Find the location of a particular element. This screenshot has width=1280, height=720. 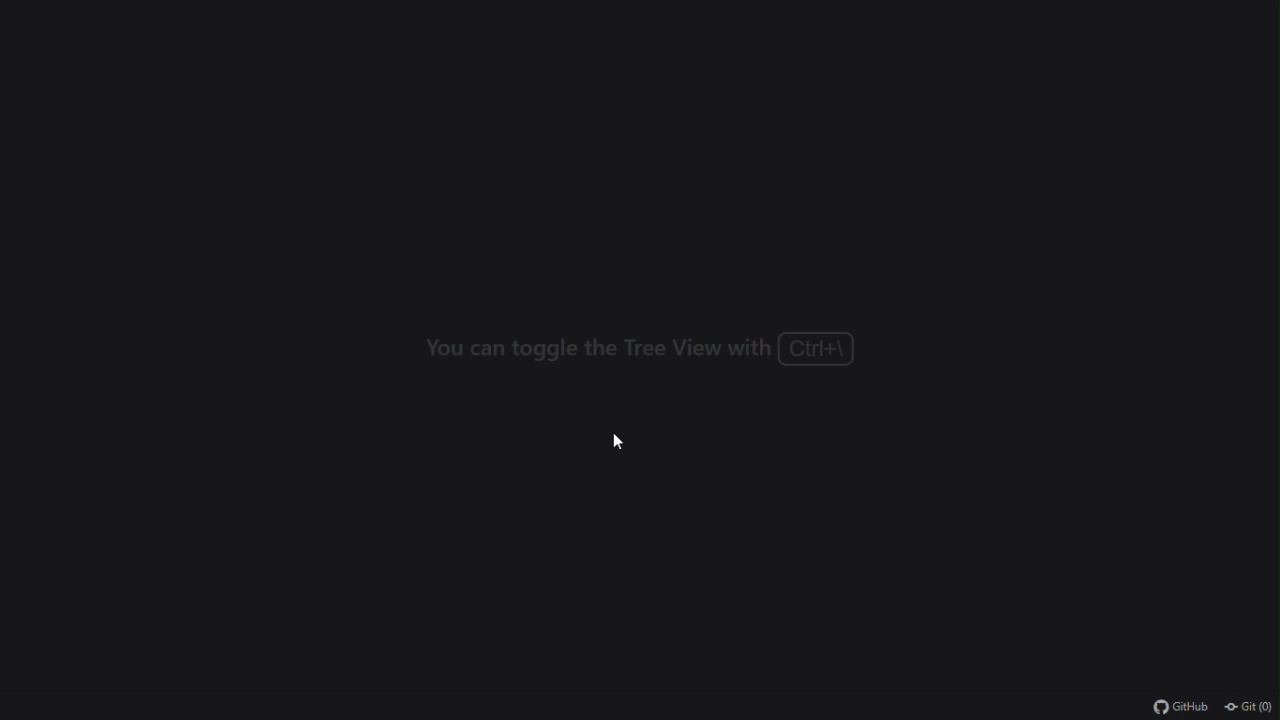

Git is located at coordinates (1250, 705).